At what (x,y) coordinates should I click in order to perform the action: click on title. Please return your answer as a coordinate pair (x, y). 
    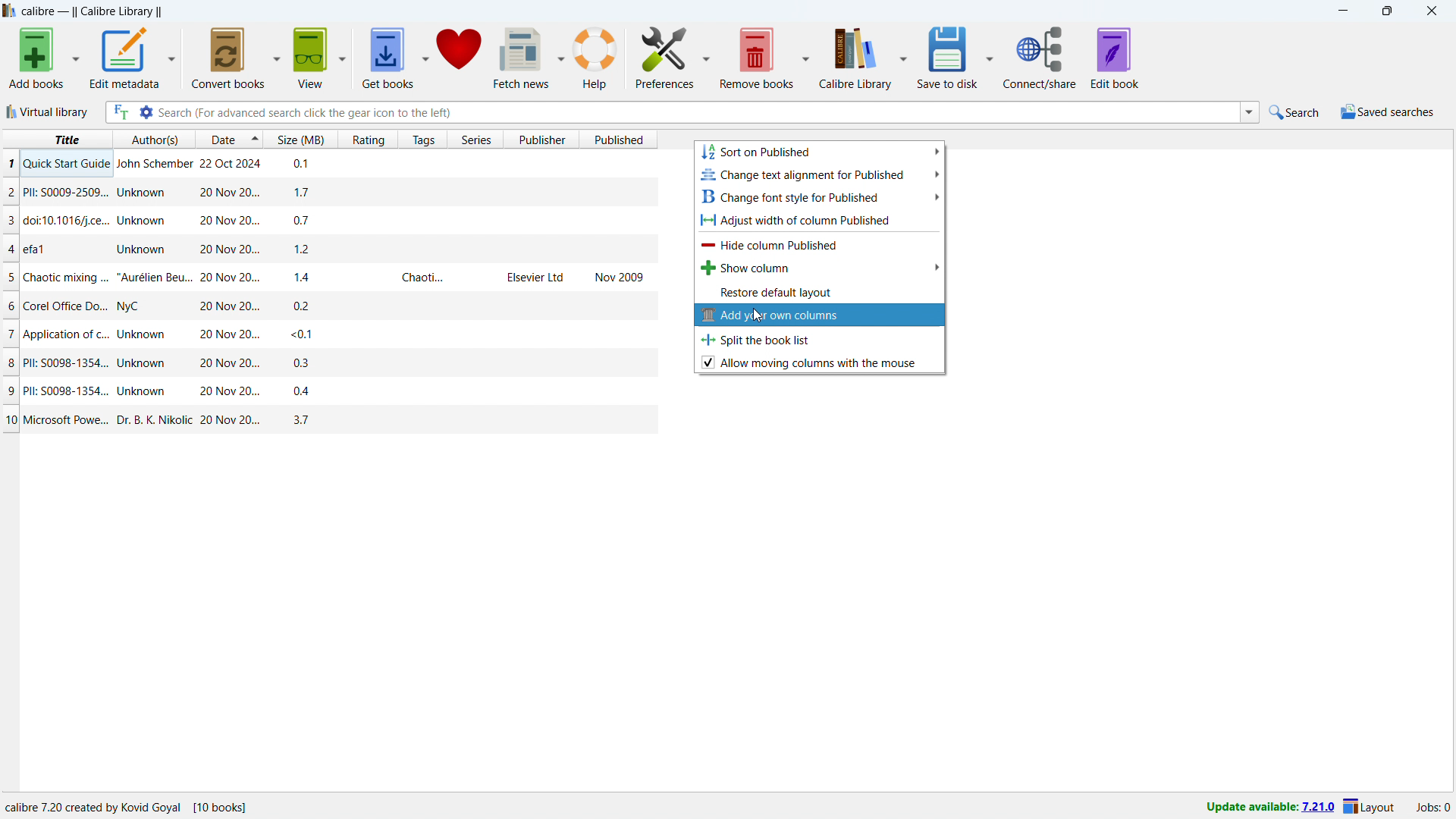
    Looking at the image, I should click on (92, 11).